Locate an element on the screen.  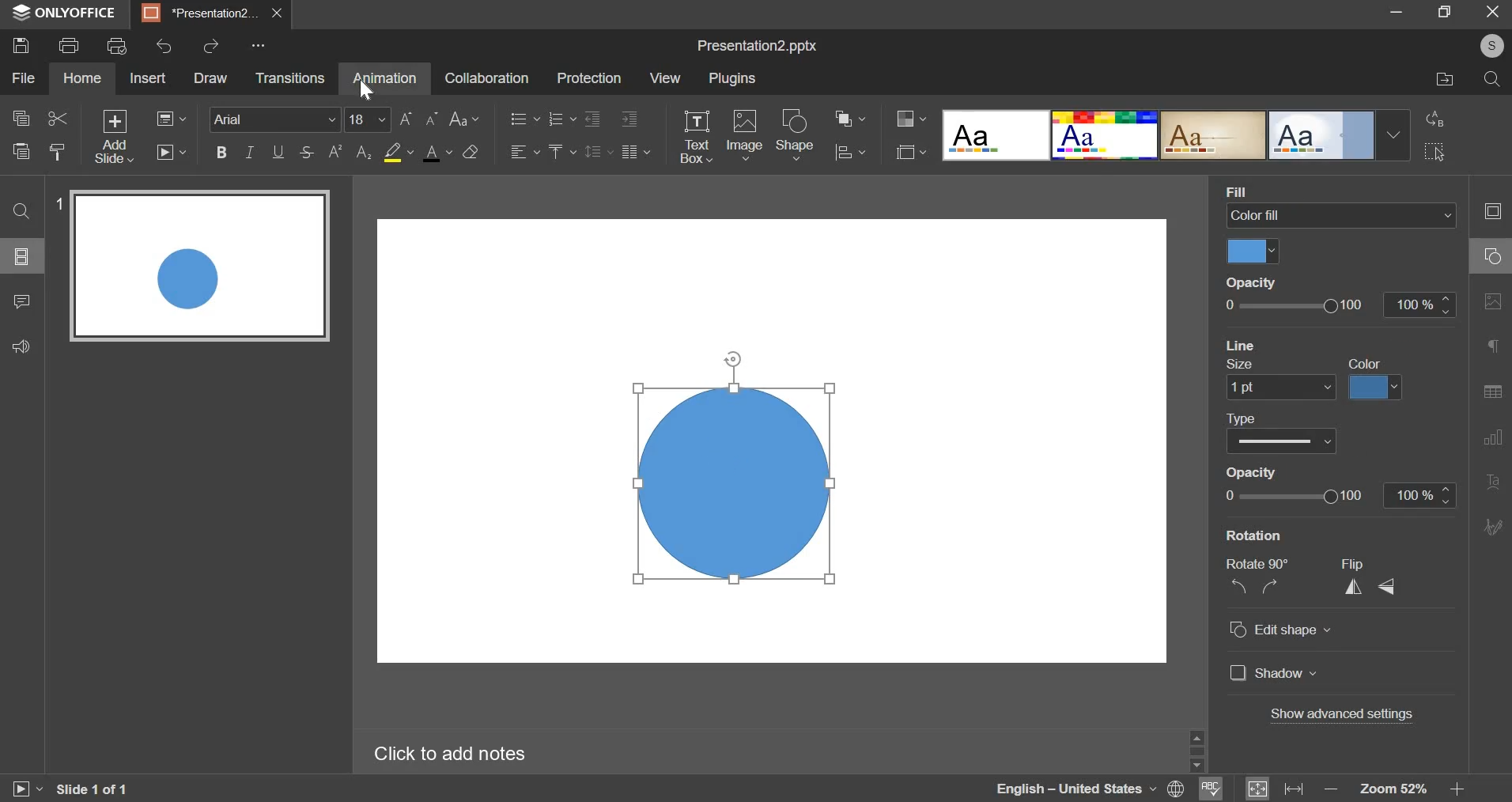
bold is located at coordinates (221, 152).